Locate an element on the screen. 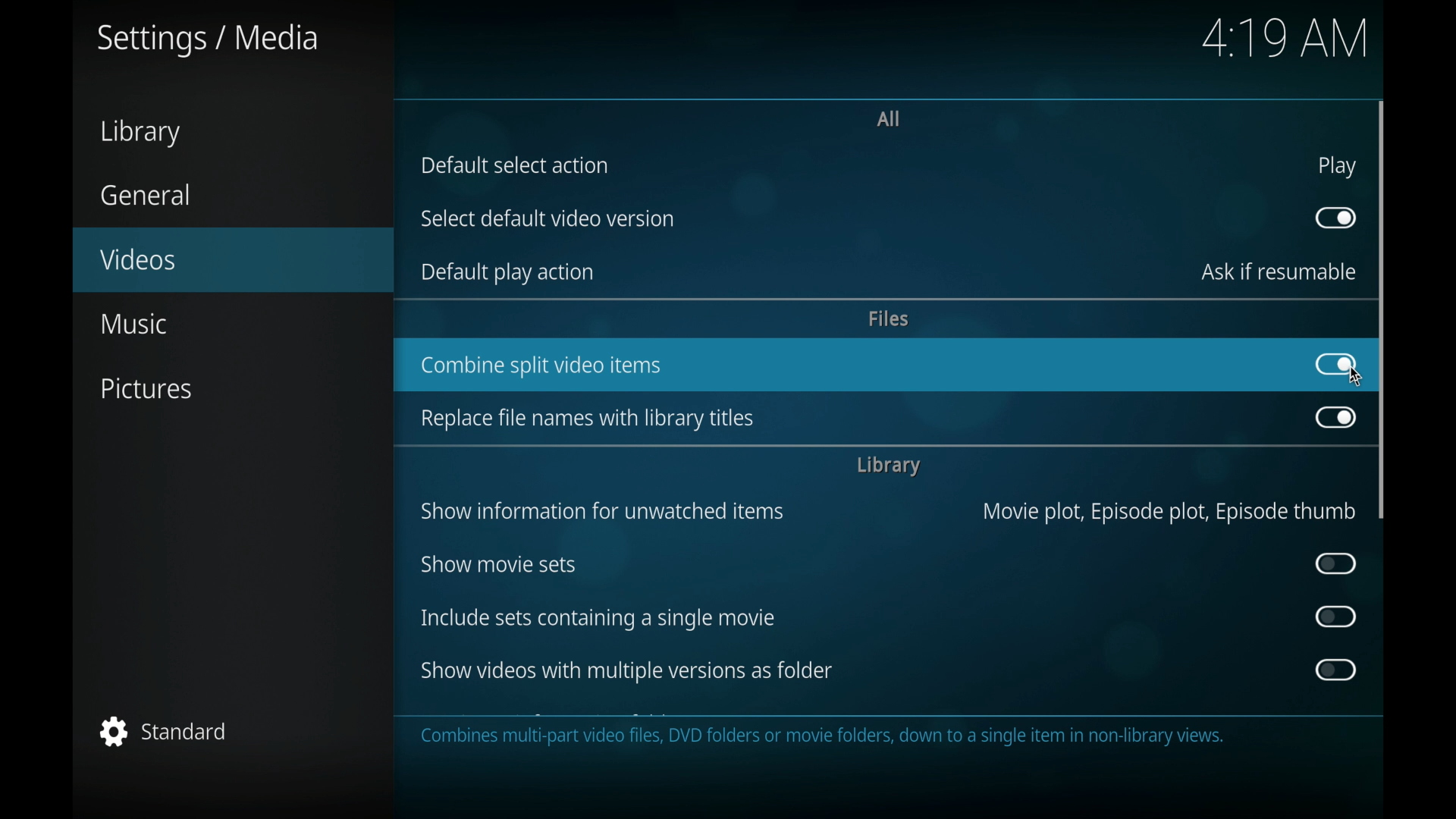  toggle button is located at coordinates (1337, 617).